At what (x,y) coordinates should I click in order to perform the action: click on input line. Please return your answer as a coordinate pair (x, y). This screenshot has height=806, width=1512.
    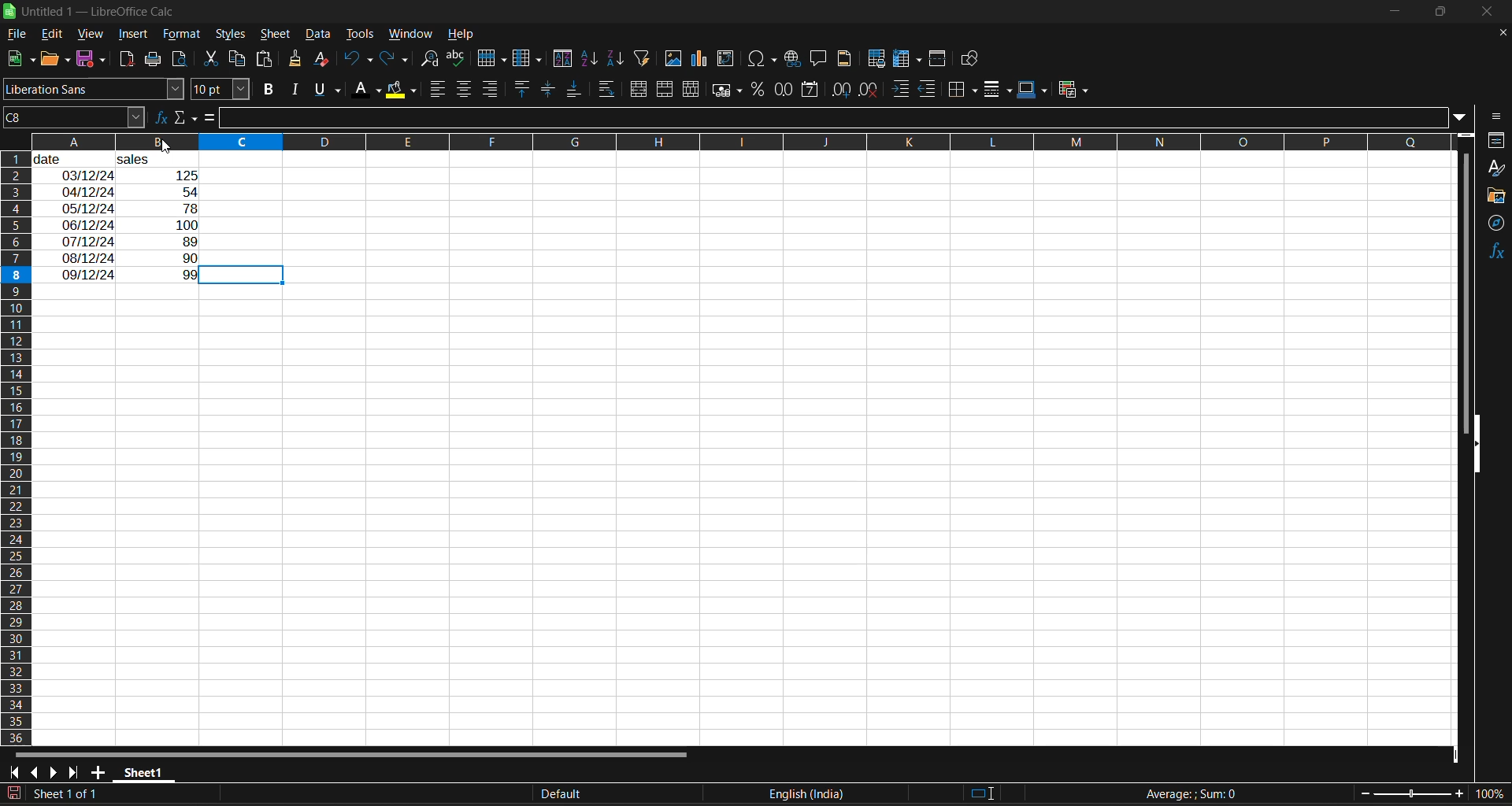
    Looking at the image, I should click on (836, 119).